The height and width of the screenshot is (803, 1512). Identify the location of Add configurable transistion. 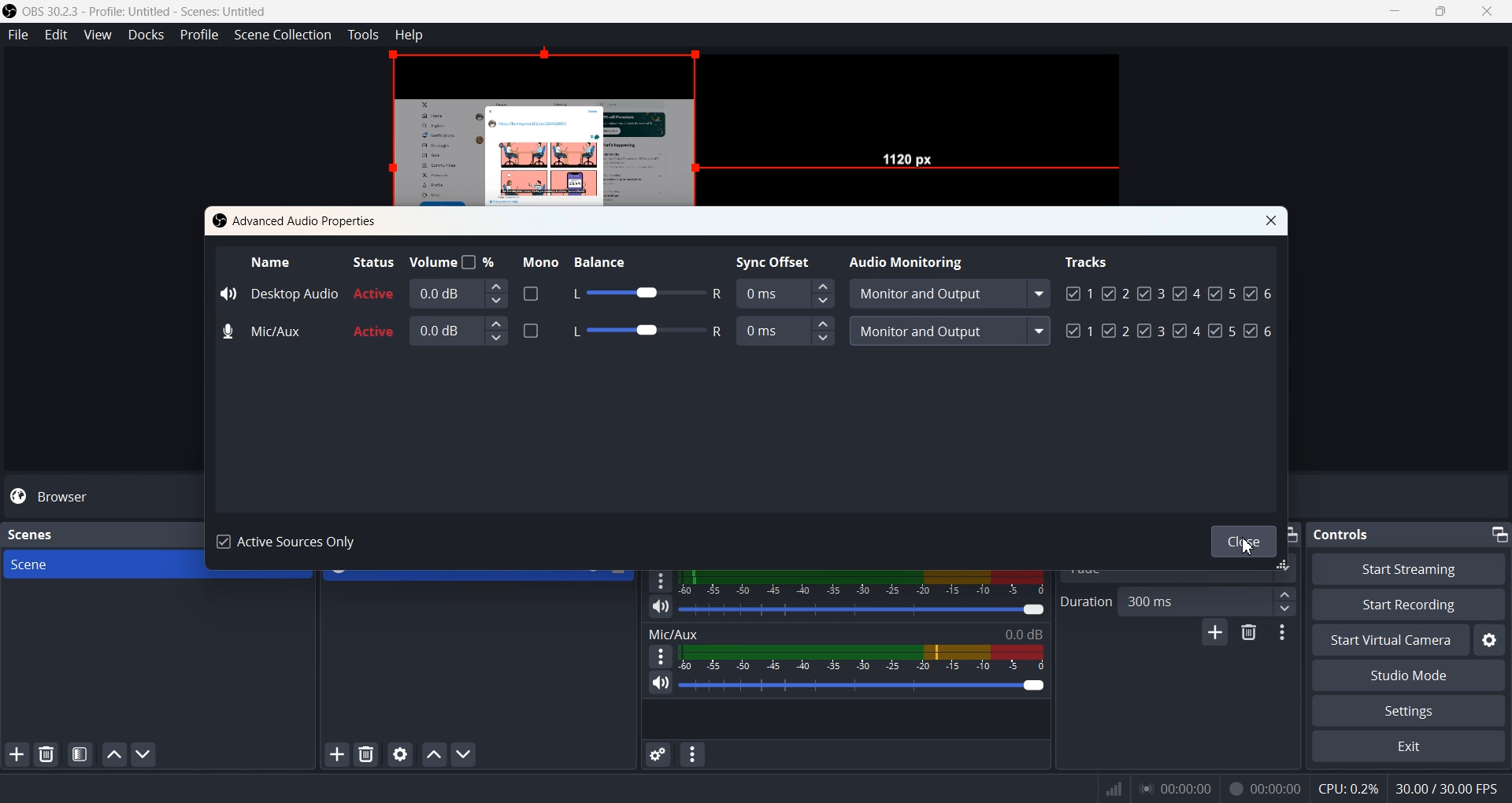
(1214, 635).